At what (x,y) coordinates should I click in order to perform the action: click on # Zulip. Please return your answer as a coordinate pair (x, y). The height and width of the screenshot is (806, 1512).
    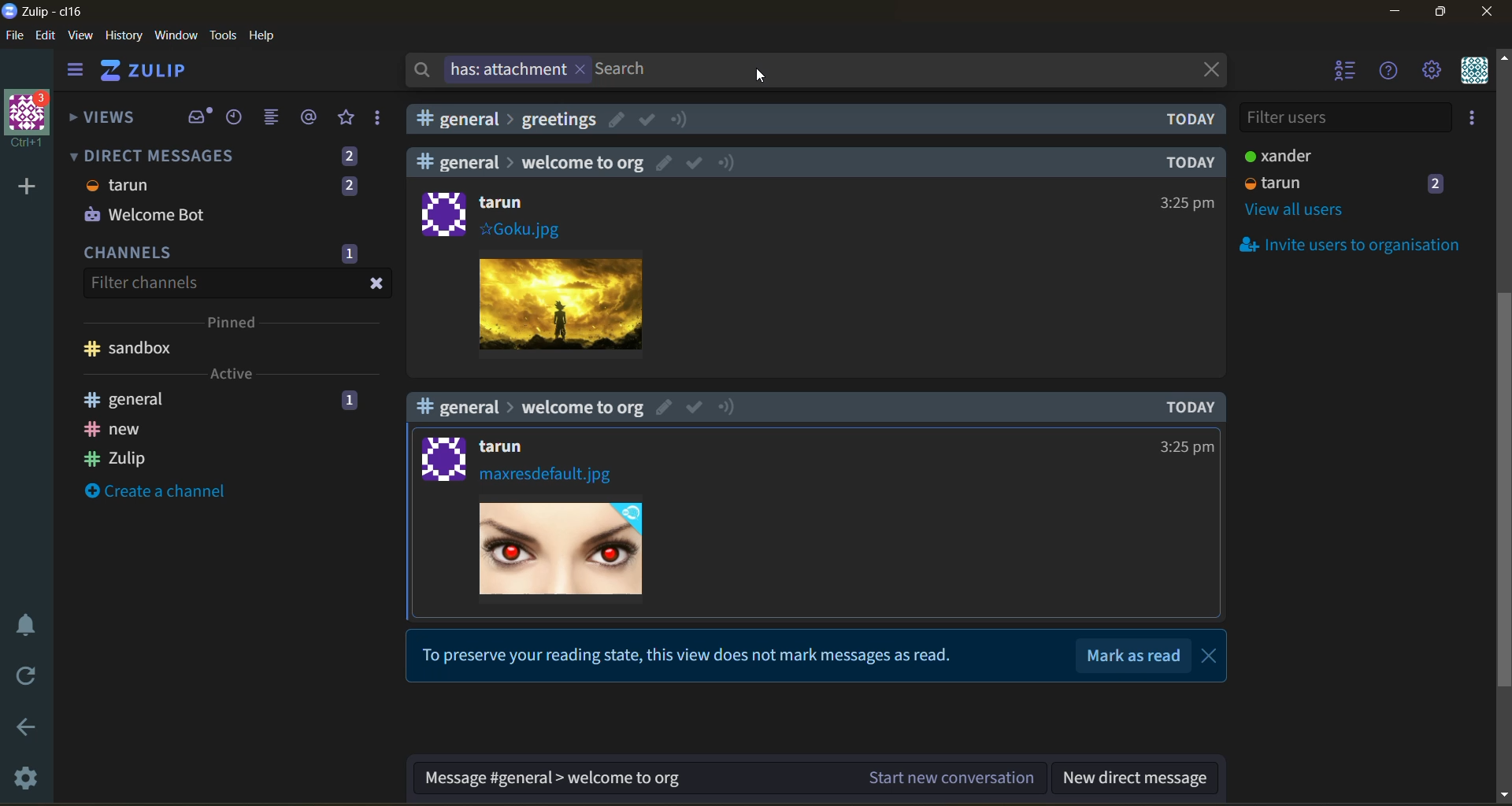
    Looking at the image, I should click on (117, 457).